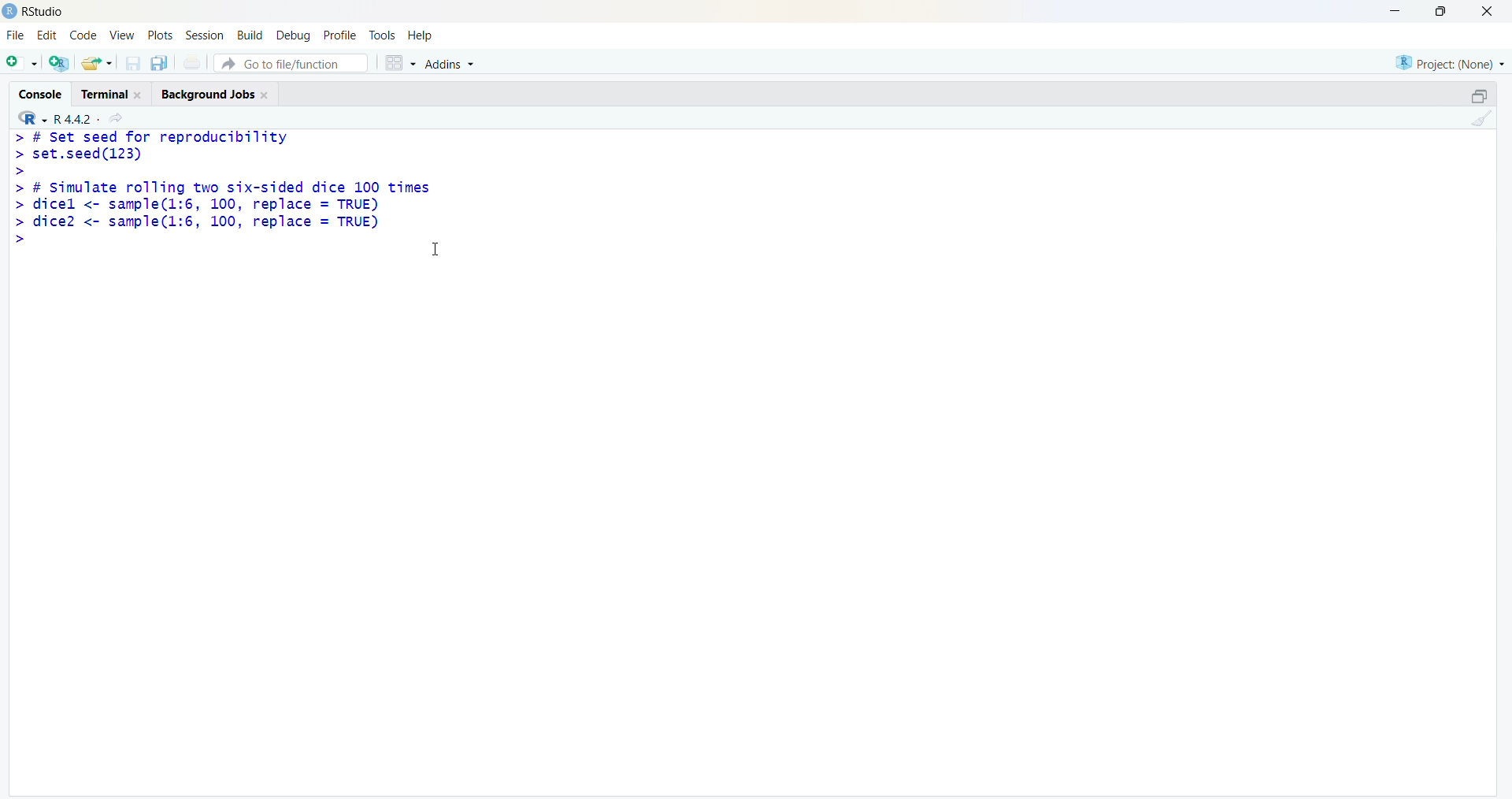 The width and height of the screenshot is (1512, 799). What do you see at coordinates (104, 95) in the screenshot?
I see `terminal` at bounding box center [104, 95].